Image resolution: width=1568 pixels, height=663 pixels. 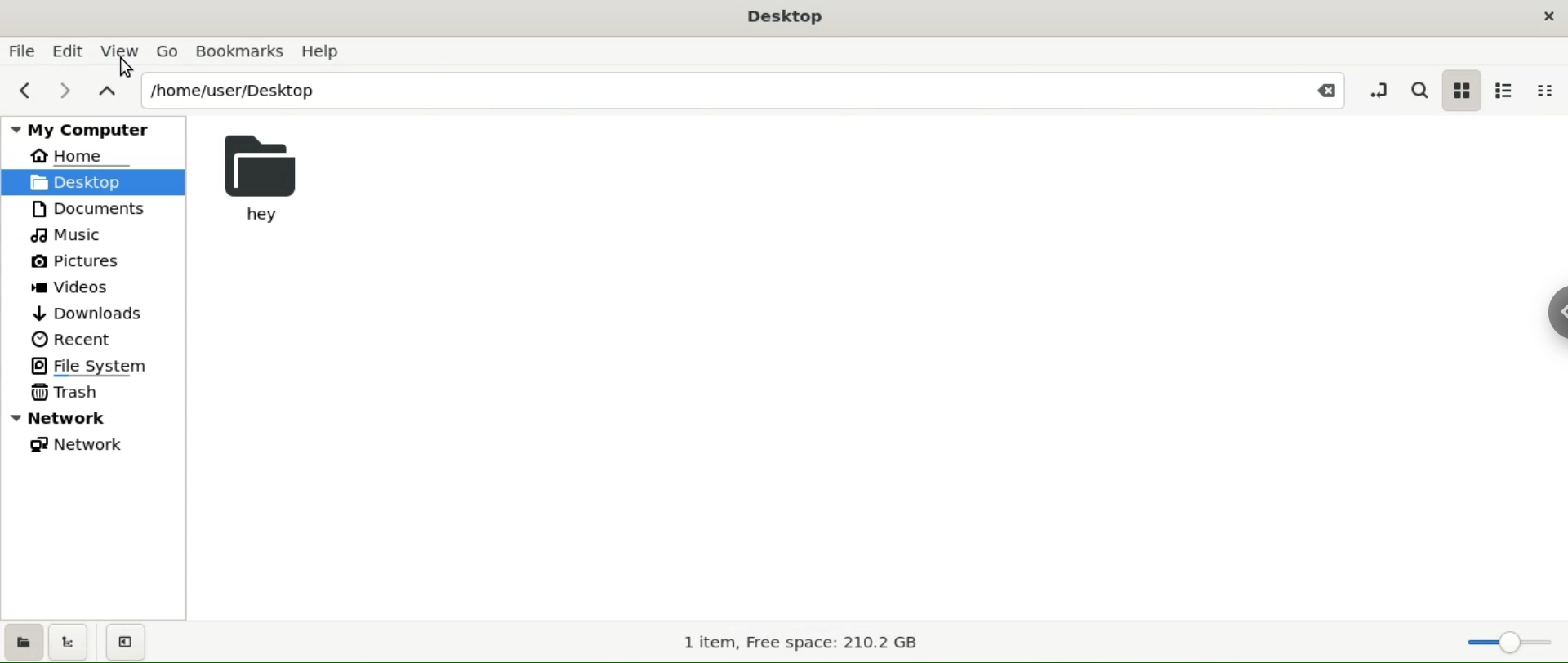 I want to click on icon view, so click(x=1463, y=93).